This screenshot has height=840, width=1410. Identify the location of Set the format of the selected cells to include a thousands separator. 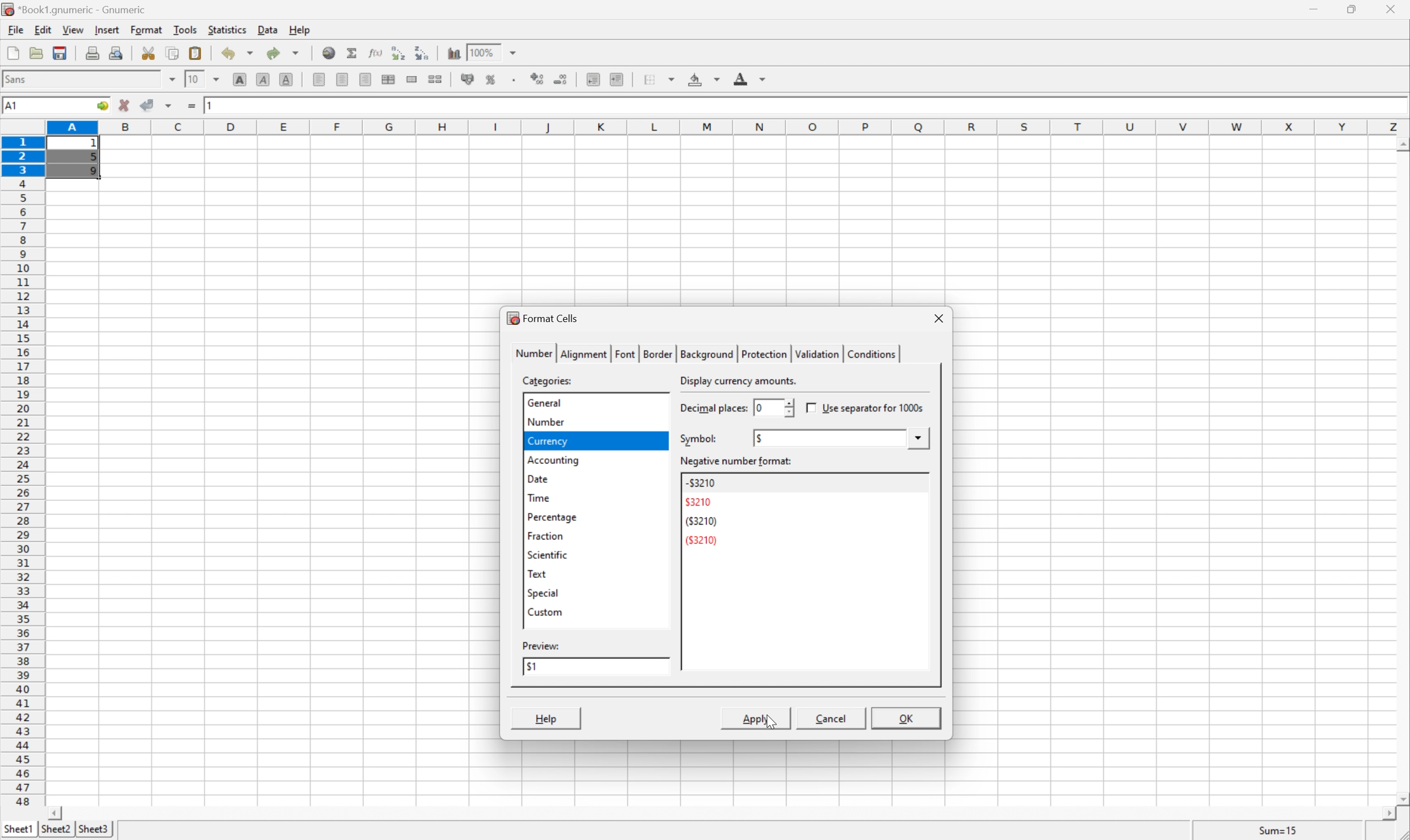
(516, 80).